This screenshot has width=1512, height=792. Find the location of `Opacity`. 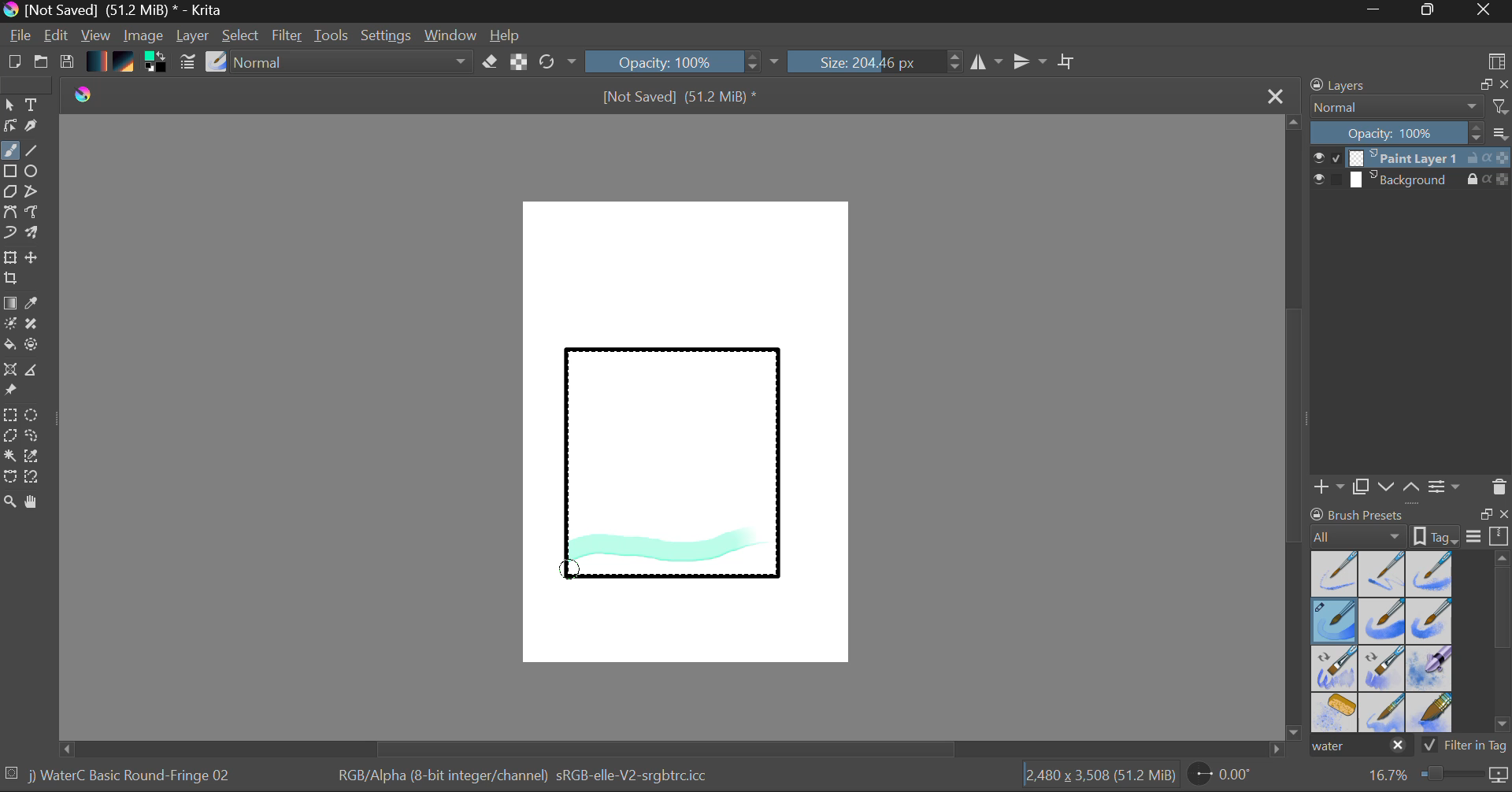

Opacity is located at coordinates (684, 61).